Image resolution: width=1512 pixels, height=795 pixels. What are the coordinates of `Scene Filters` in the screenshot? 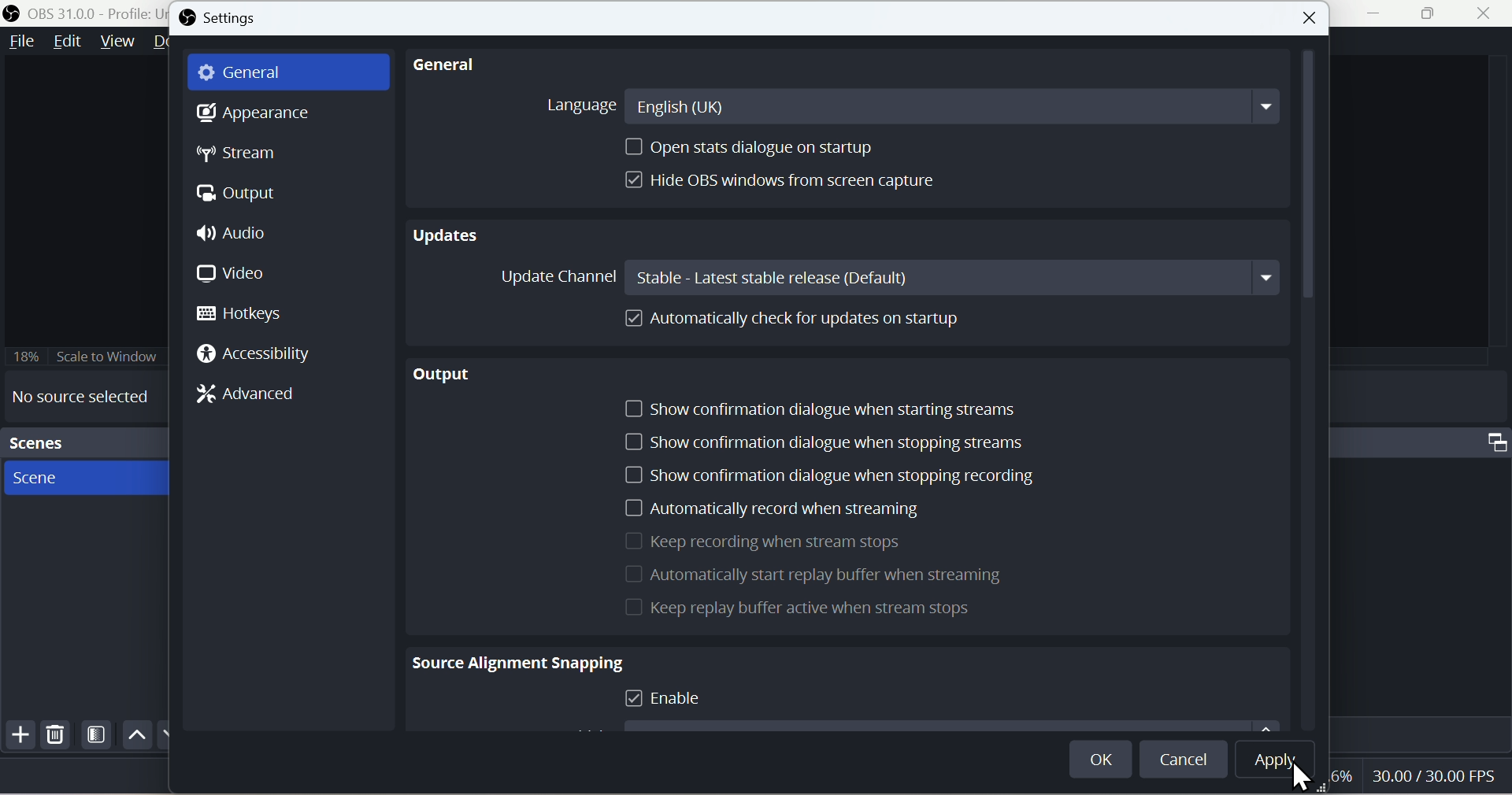 It's located at (98, 733).